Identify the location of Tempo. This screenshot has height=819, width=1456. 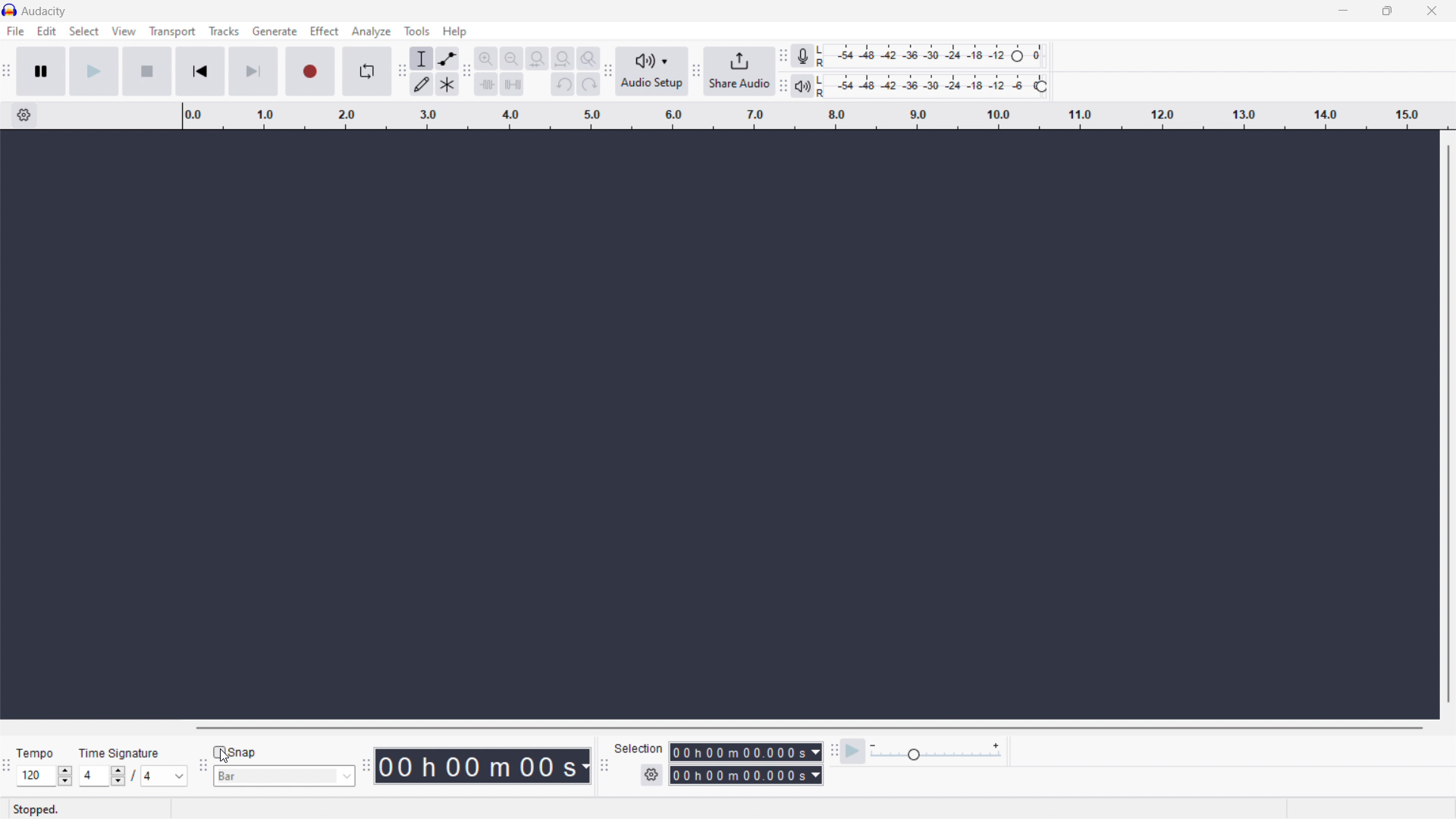
(39, 755).